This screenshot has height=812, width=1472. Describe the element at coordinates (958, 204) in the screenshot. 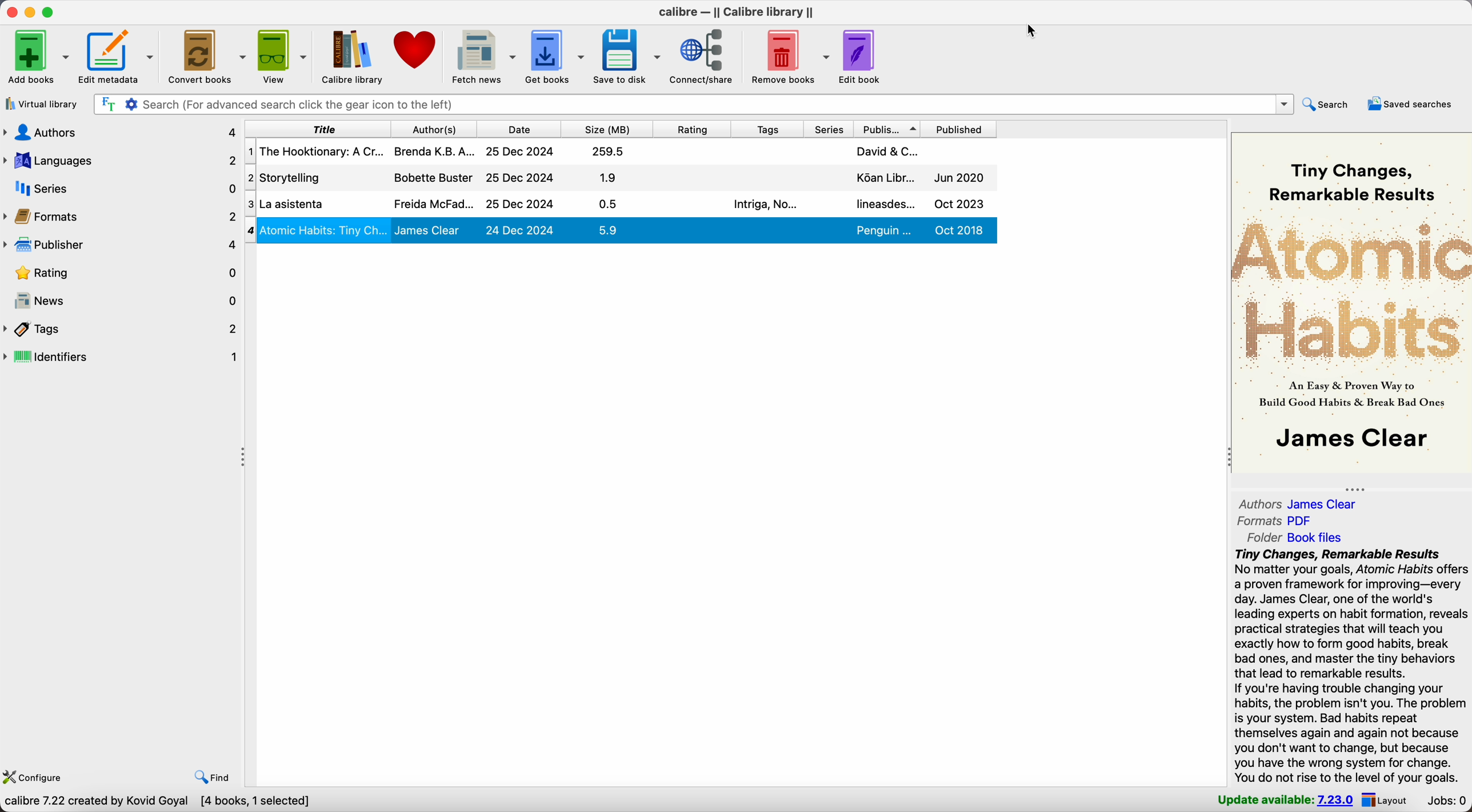

I see `oct 2023` at that location.